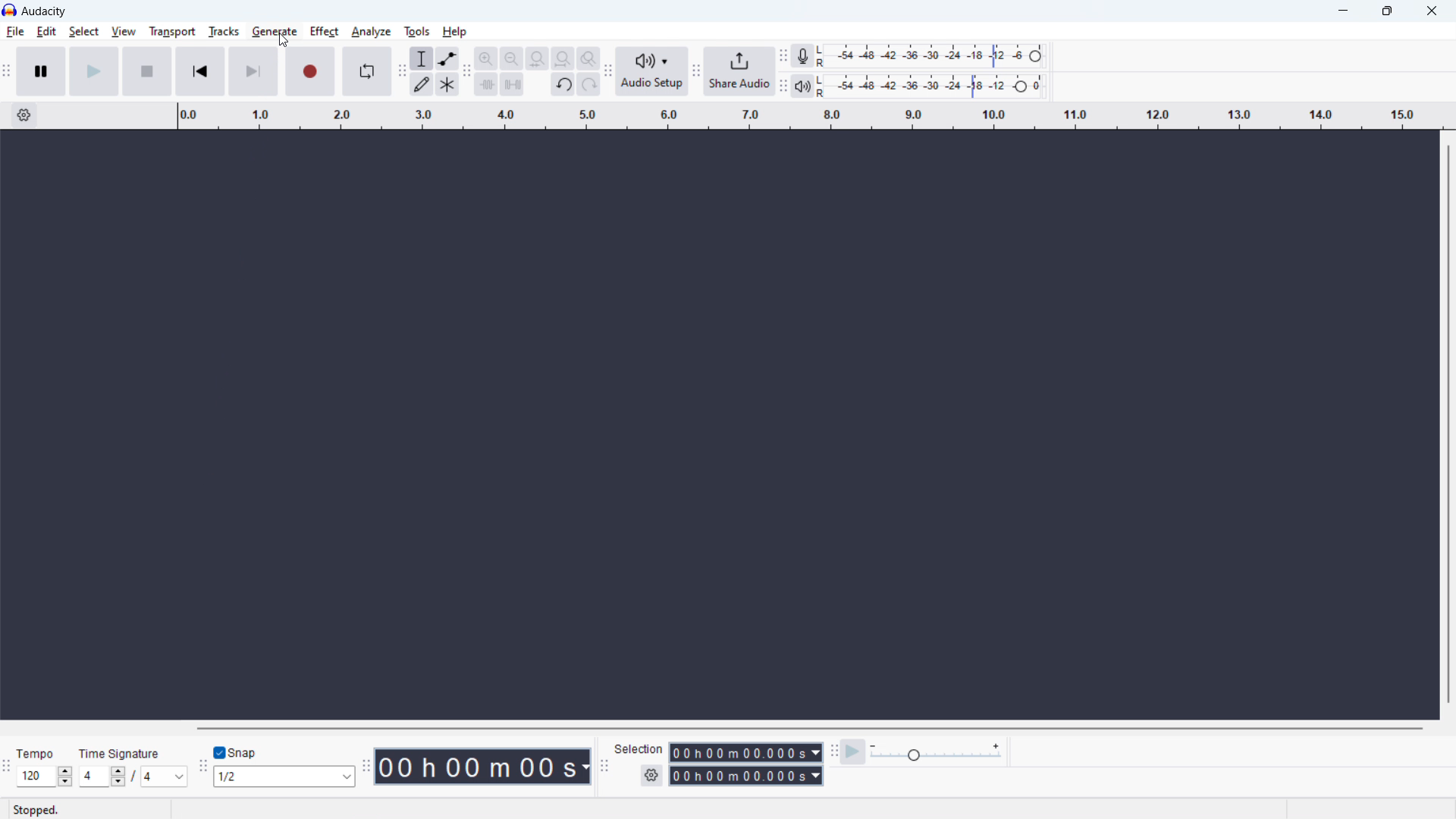  Describe the element at coordinates (604, 767) in the screenshot. I see `selection toolbar` at that location.